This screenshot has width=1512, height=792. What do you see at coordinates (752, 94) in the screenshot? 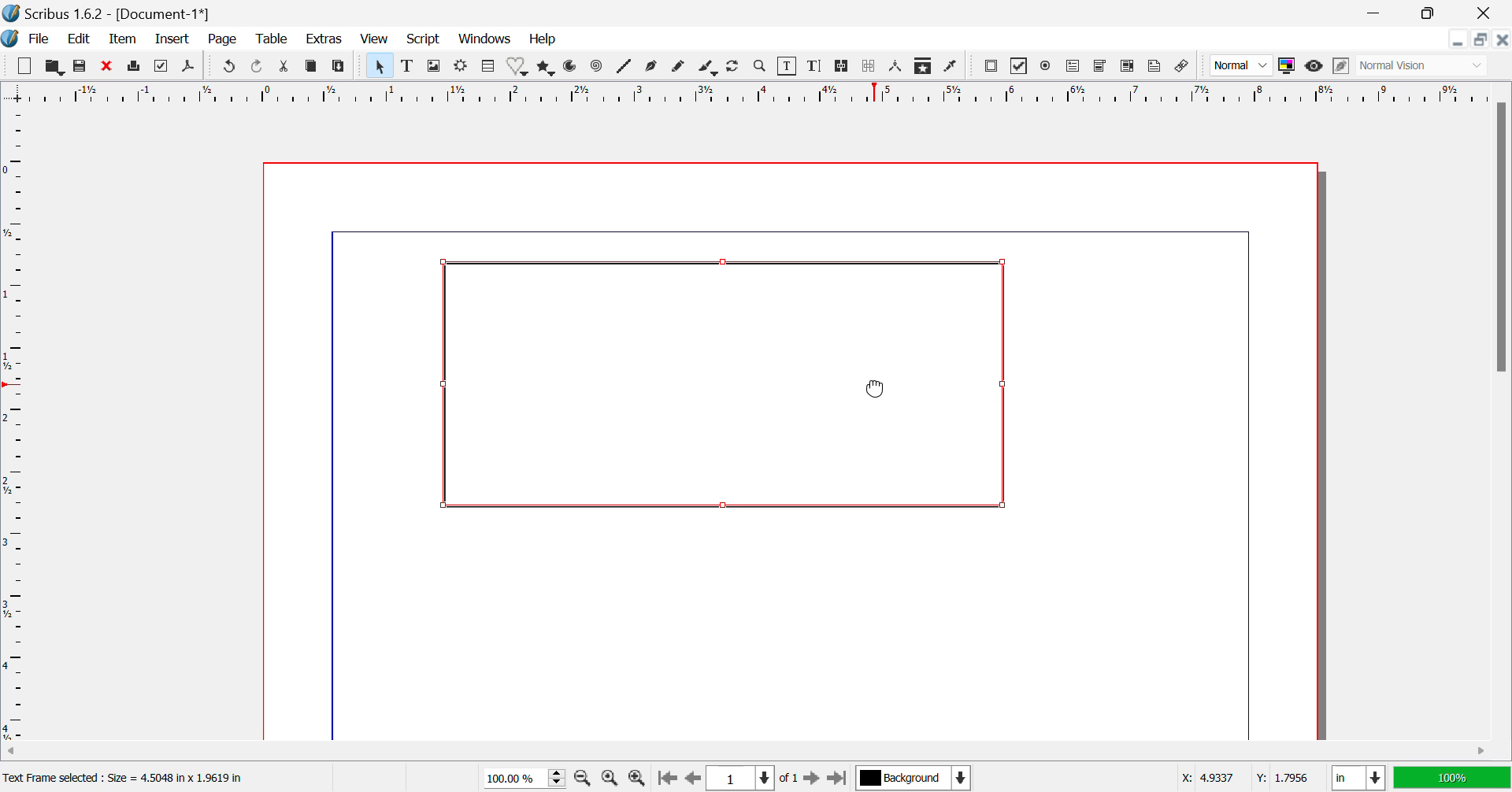
I see `Vertical Page Margins` at bounding box center [752, 94].